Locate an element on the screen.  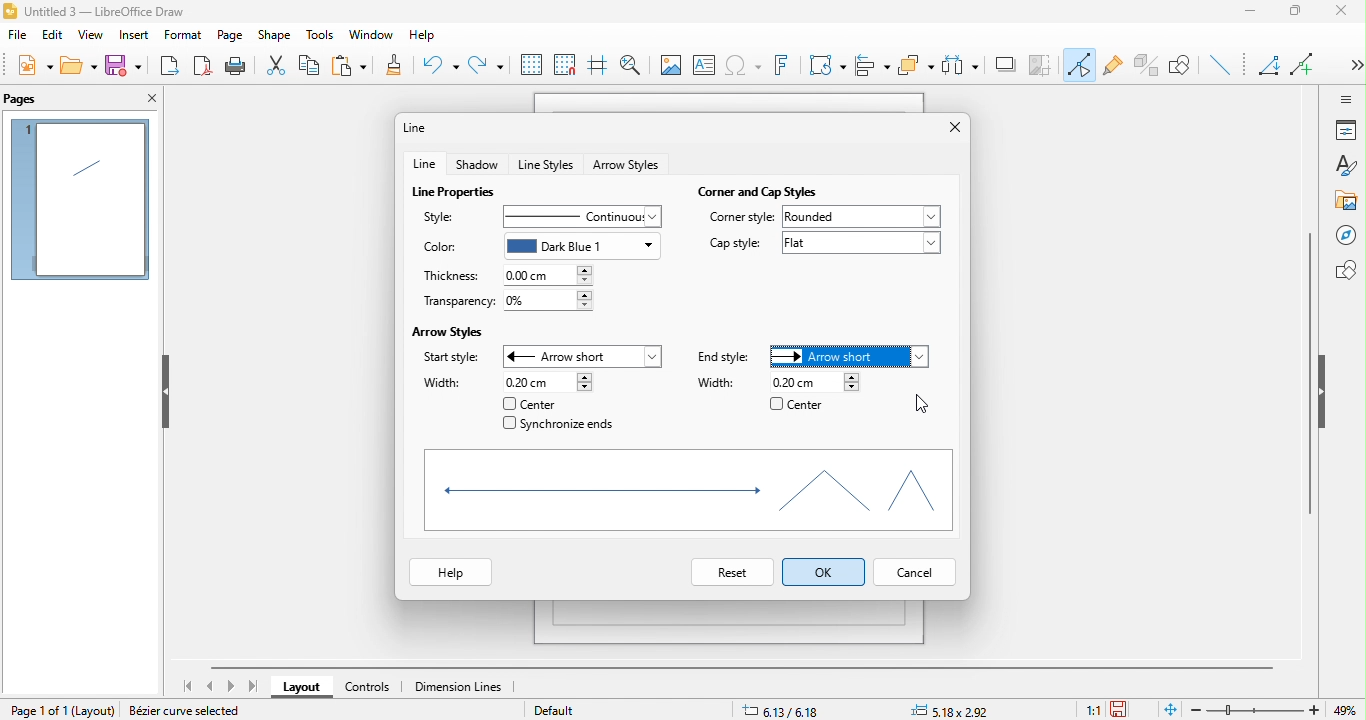
clone formatting is located at coordinates (401, 67).